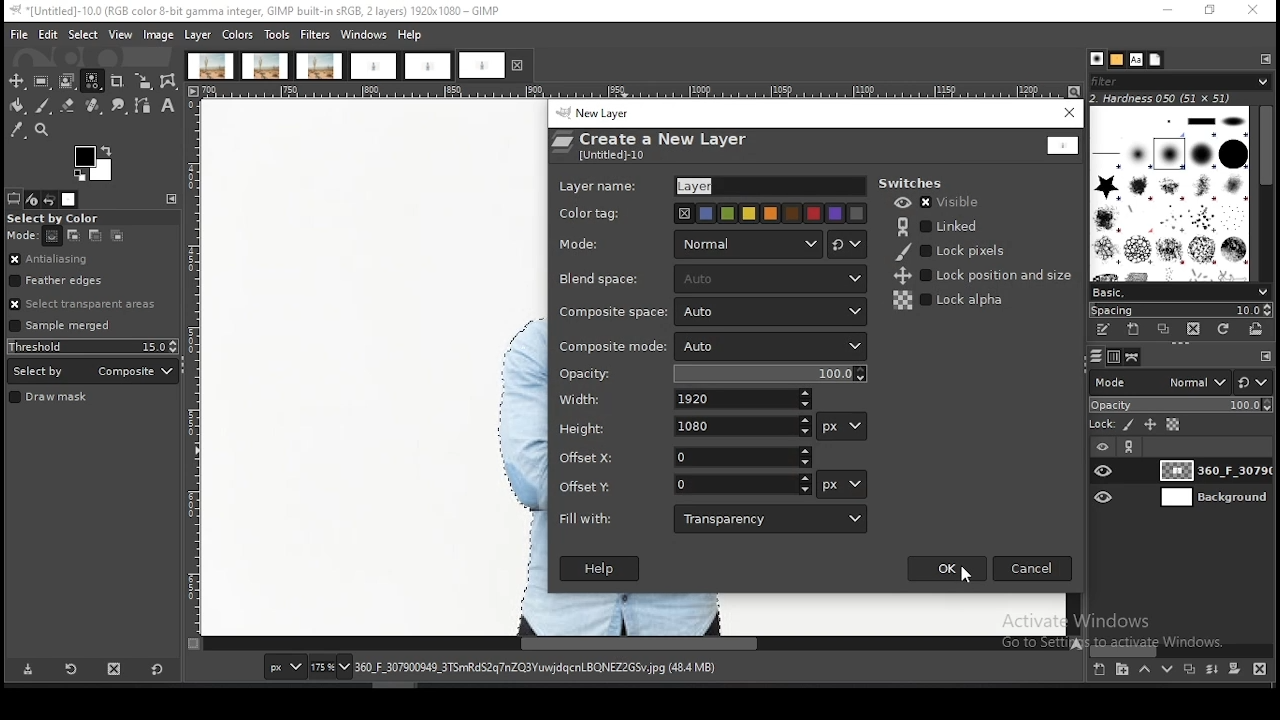 The width and height of the screenshot is (1280, 720). I want to click on , so click(769, 345).